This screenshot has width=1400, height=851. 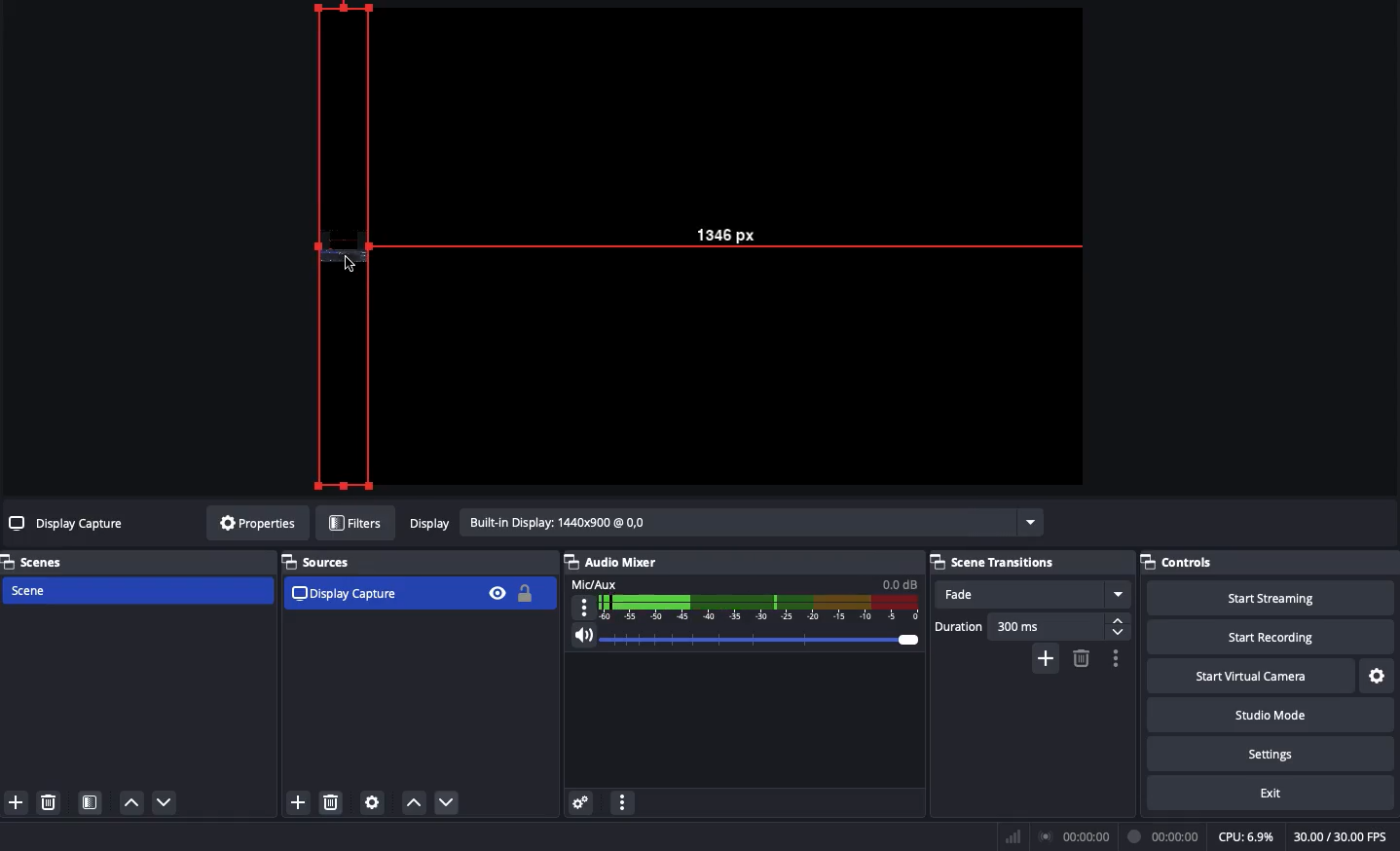 I want to click on Exit, so click(x=1273, y=792).